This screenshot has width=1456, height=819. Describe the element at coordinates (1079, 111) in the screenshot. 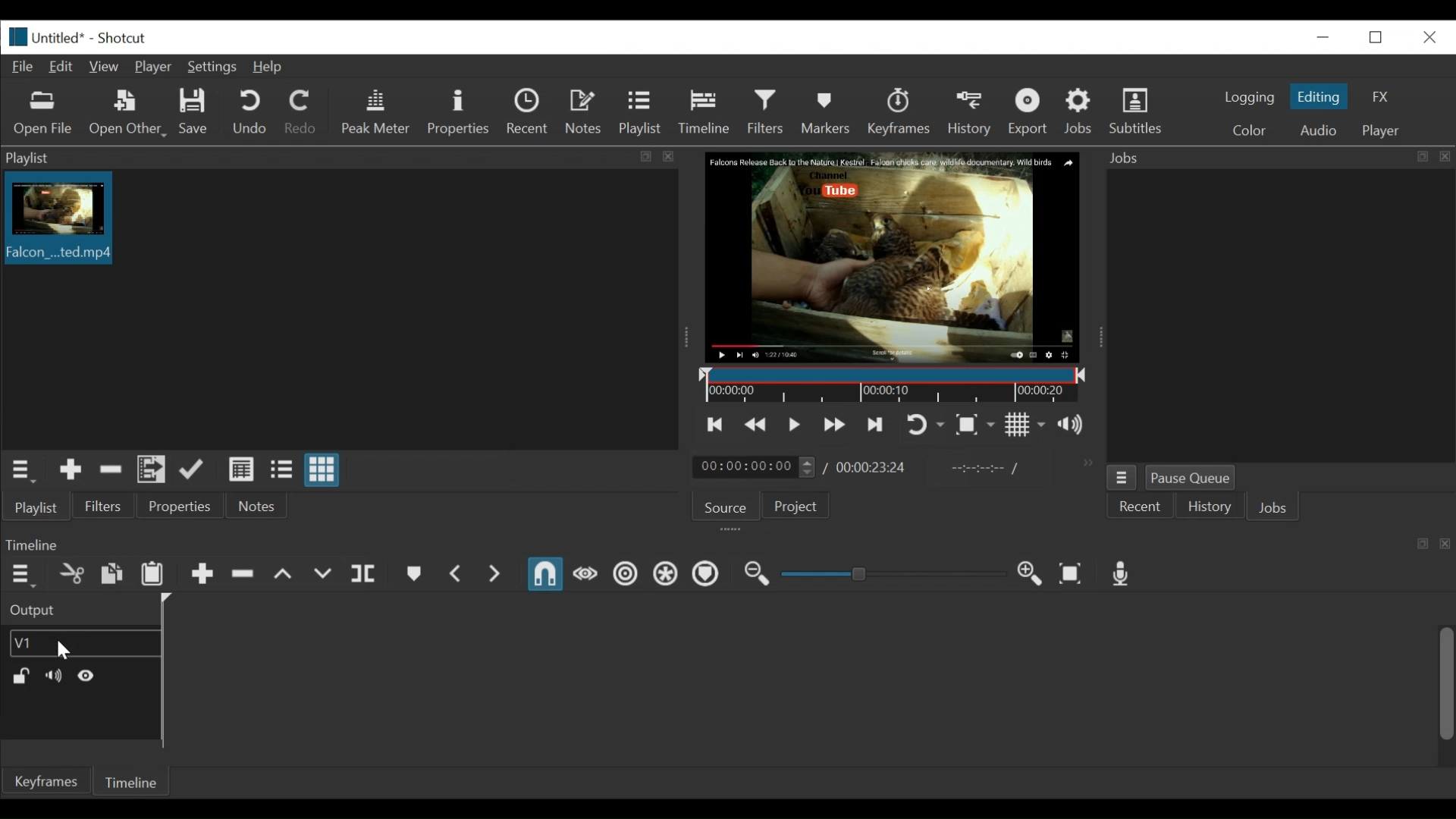

I see `Jobs` at that location.